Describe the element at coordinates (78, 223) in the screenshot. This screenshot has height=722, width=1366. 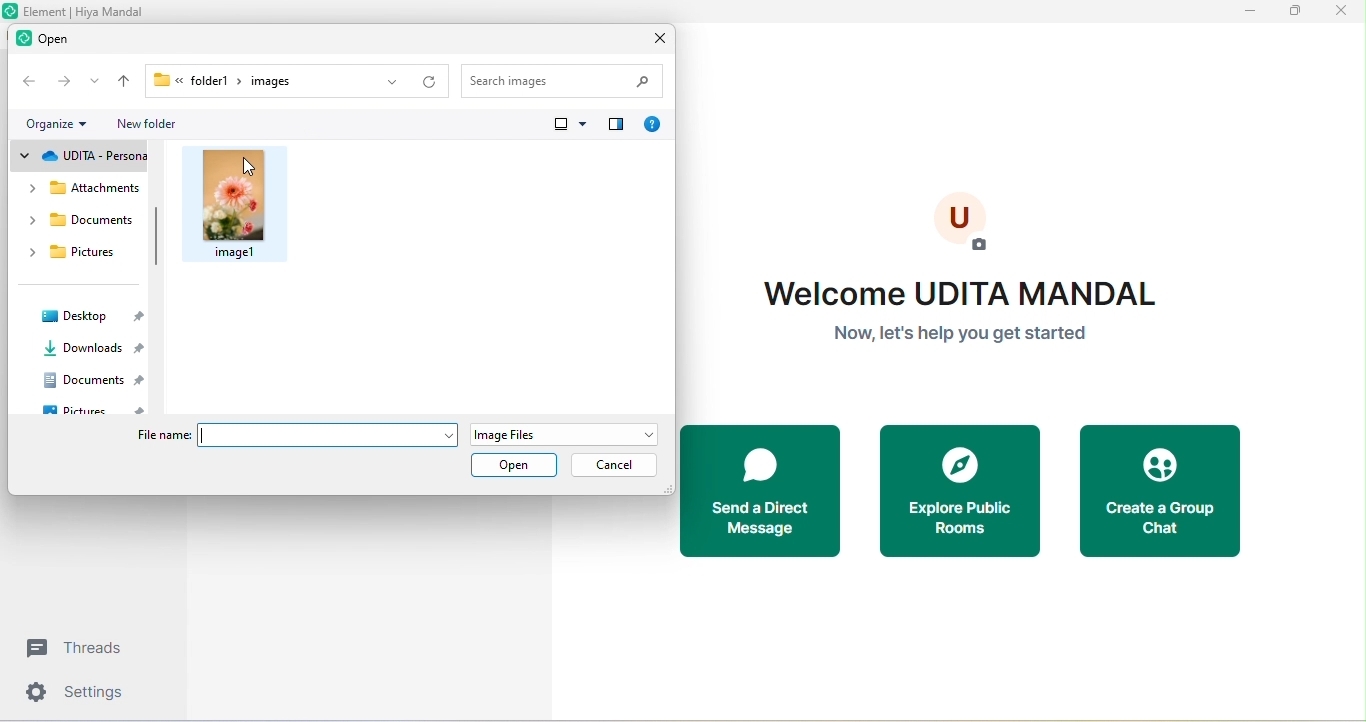
I see `documents` at that location.